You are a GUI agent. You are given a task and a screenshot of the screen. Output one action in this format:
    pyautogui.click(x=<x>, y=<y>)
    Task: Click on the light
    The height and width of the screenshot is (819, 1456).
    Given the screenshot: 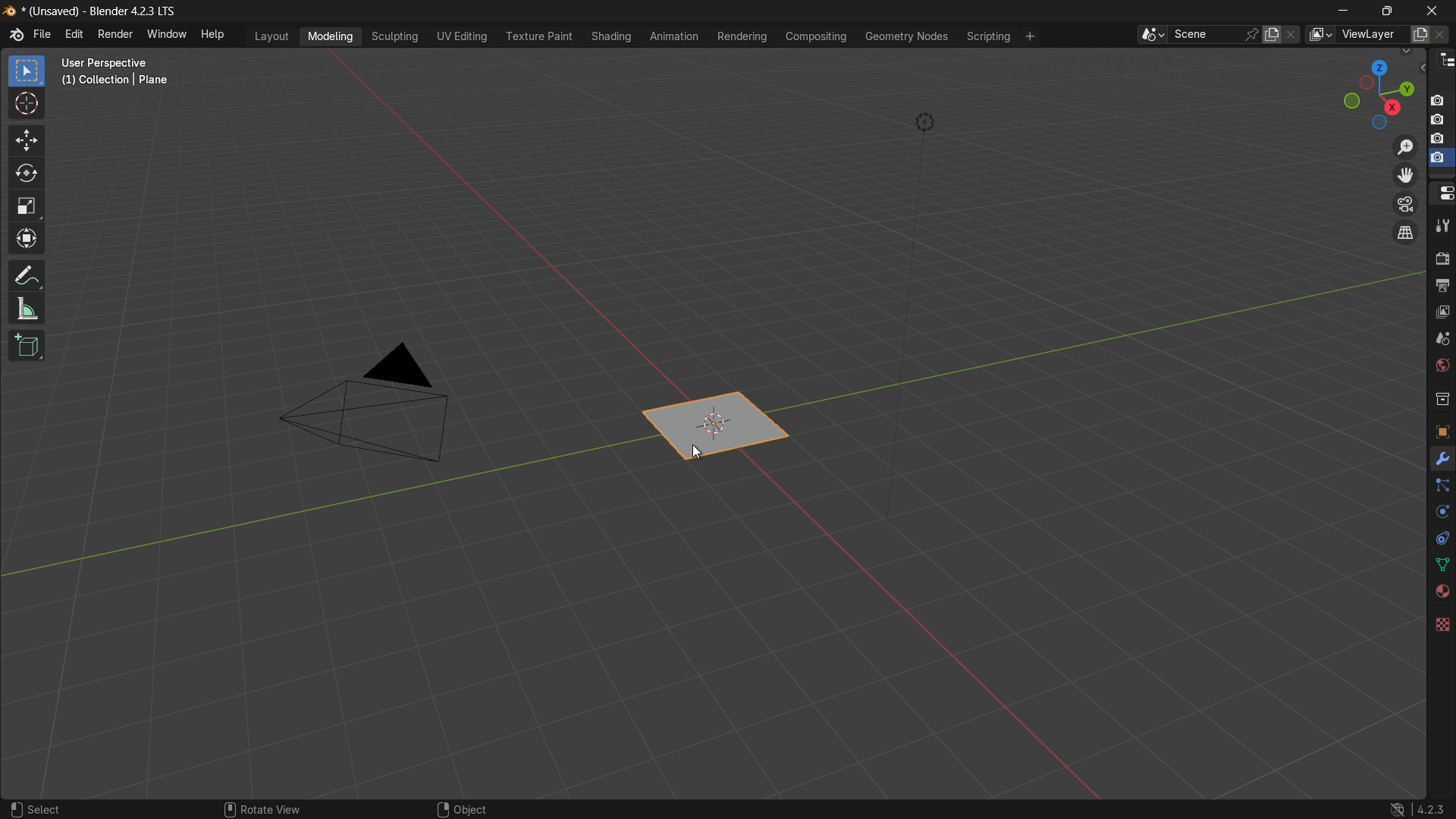 What is the action you would take?
    pyautogui.click(x=924, y=121)
    